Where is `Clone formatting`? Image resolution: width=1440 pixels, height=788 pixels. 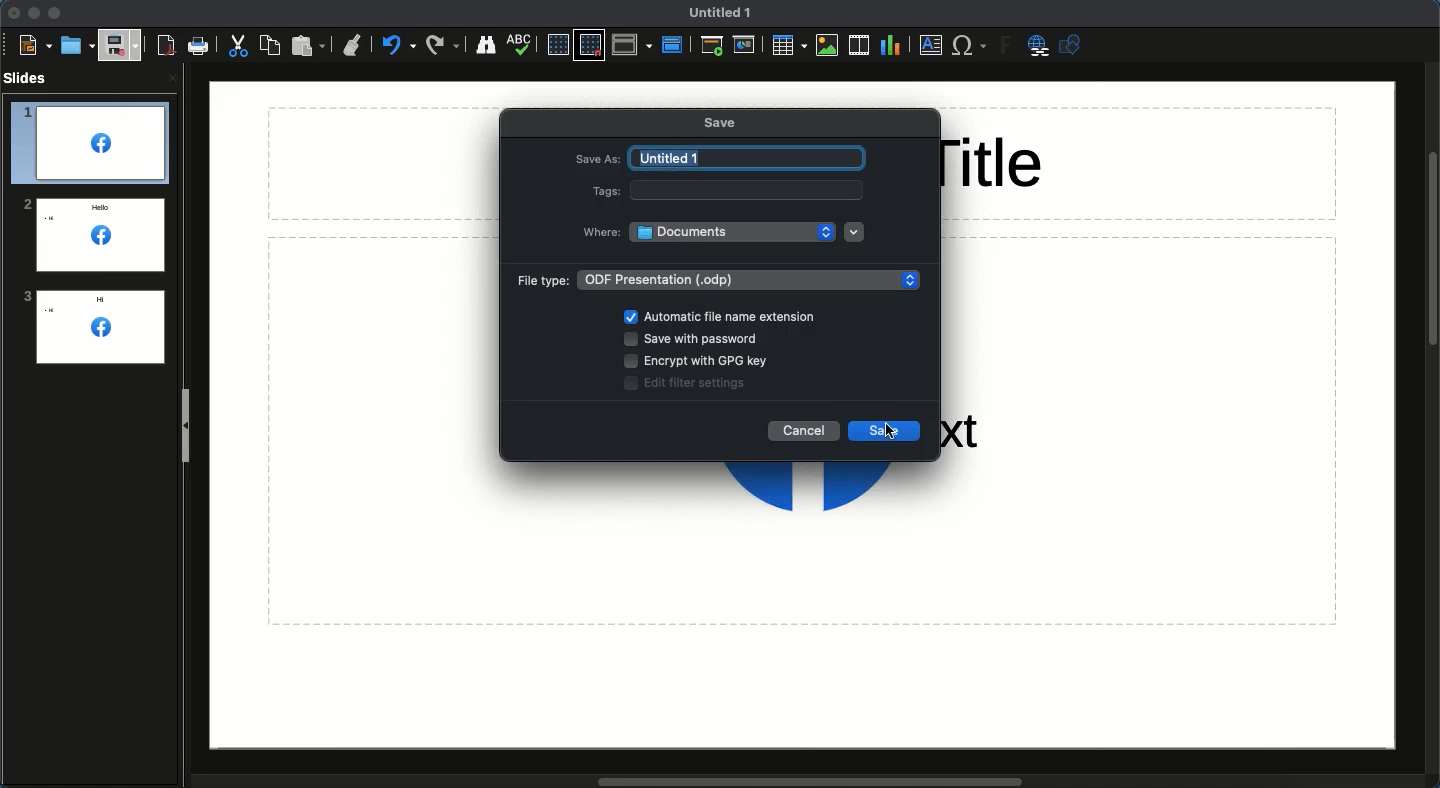
Clone formatting is located at coordinates (355, 46).